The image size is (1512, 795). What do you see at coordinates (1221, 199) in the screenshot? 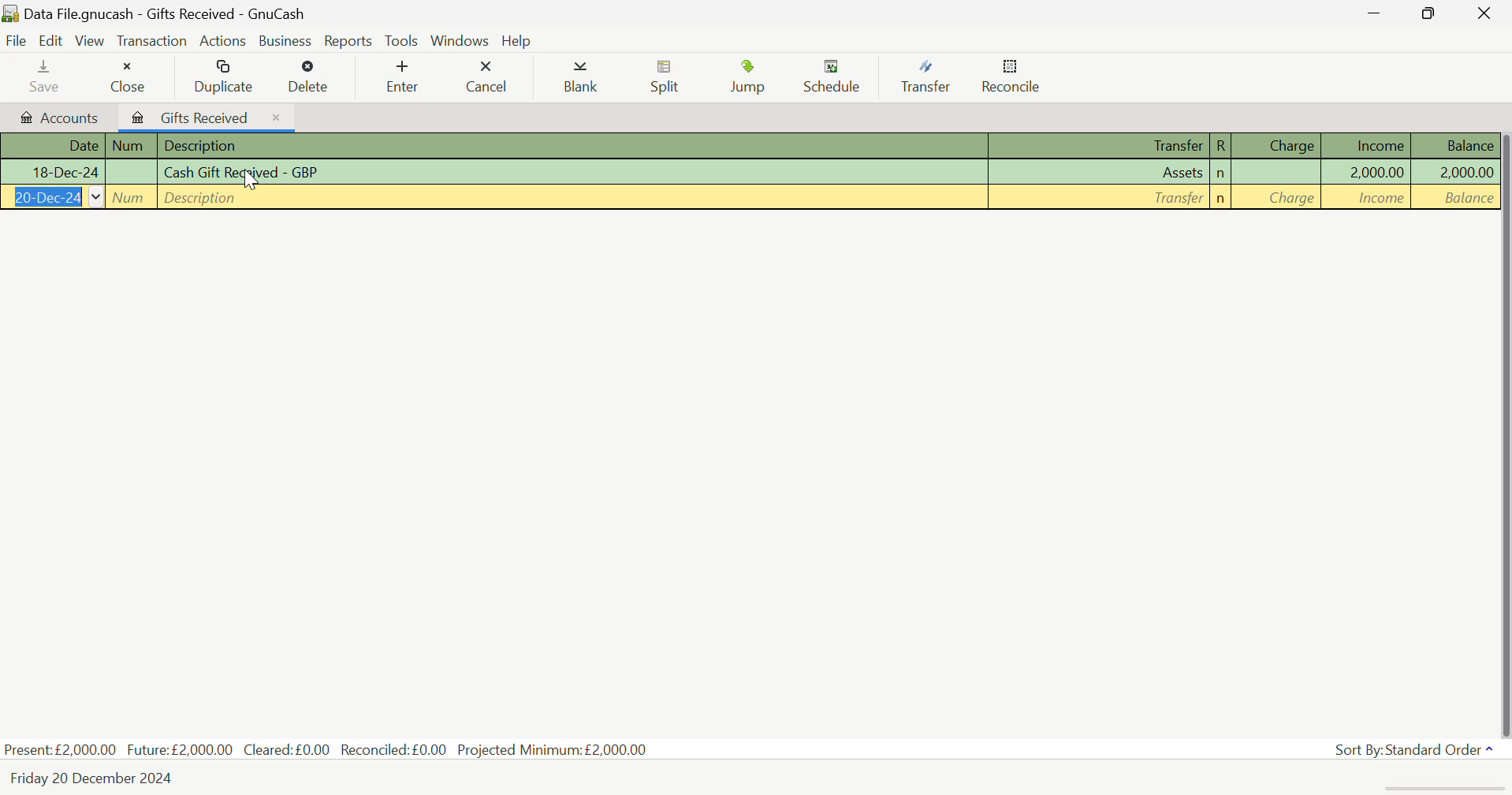
I see `n` at bounding box center [1221, 199].